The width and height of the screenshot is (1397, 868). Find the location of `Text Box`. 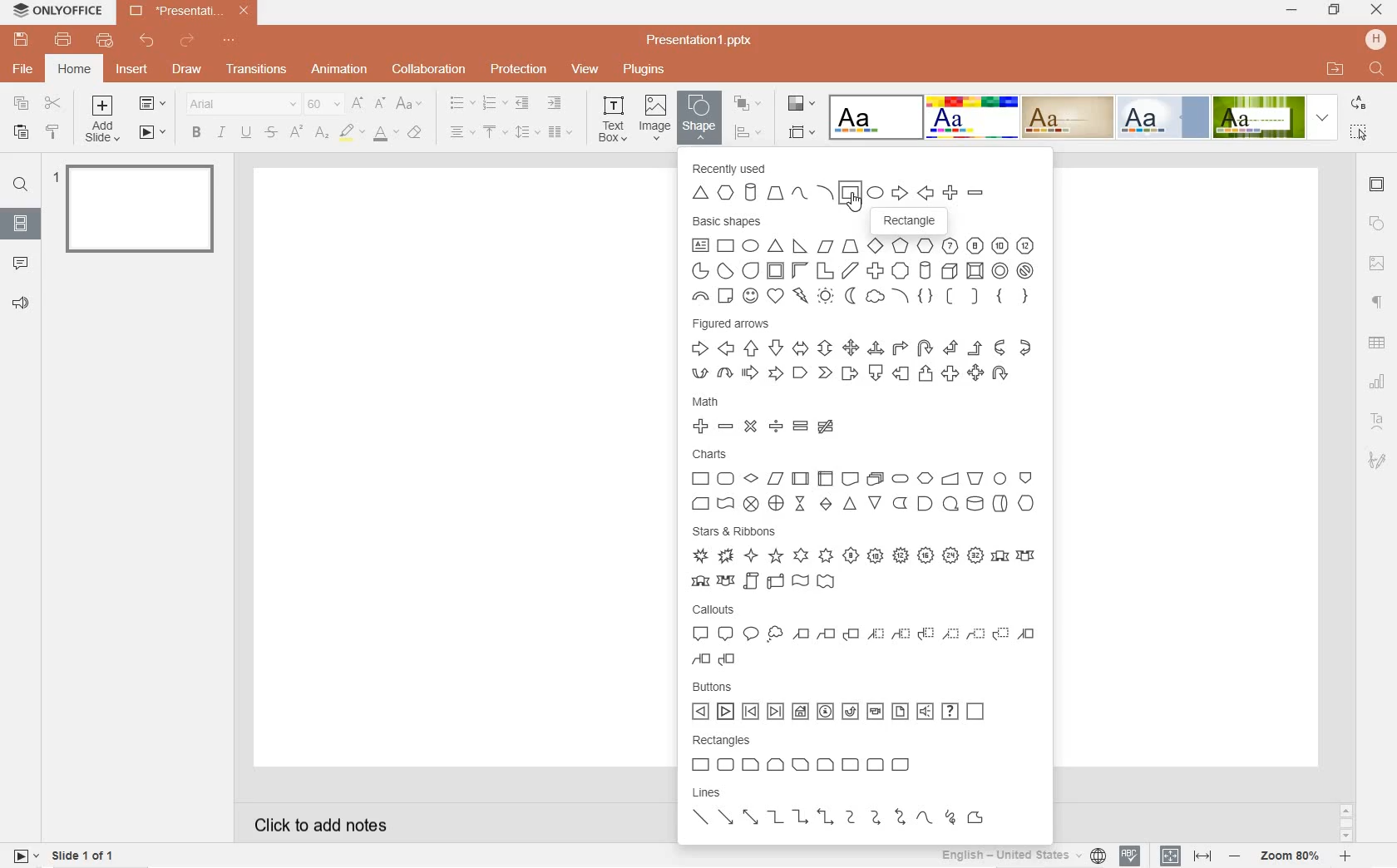

Text Box is located at coordinates (700, 244).